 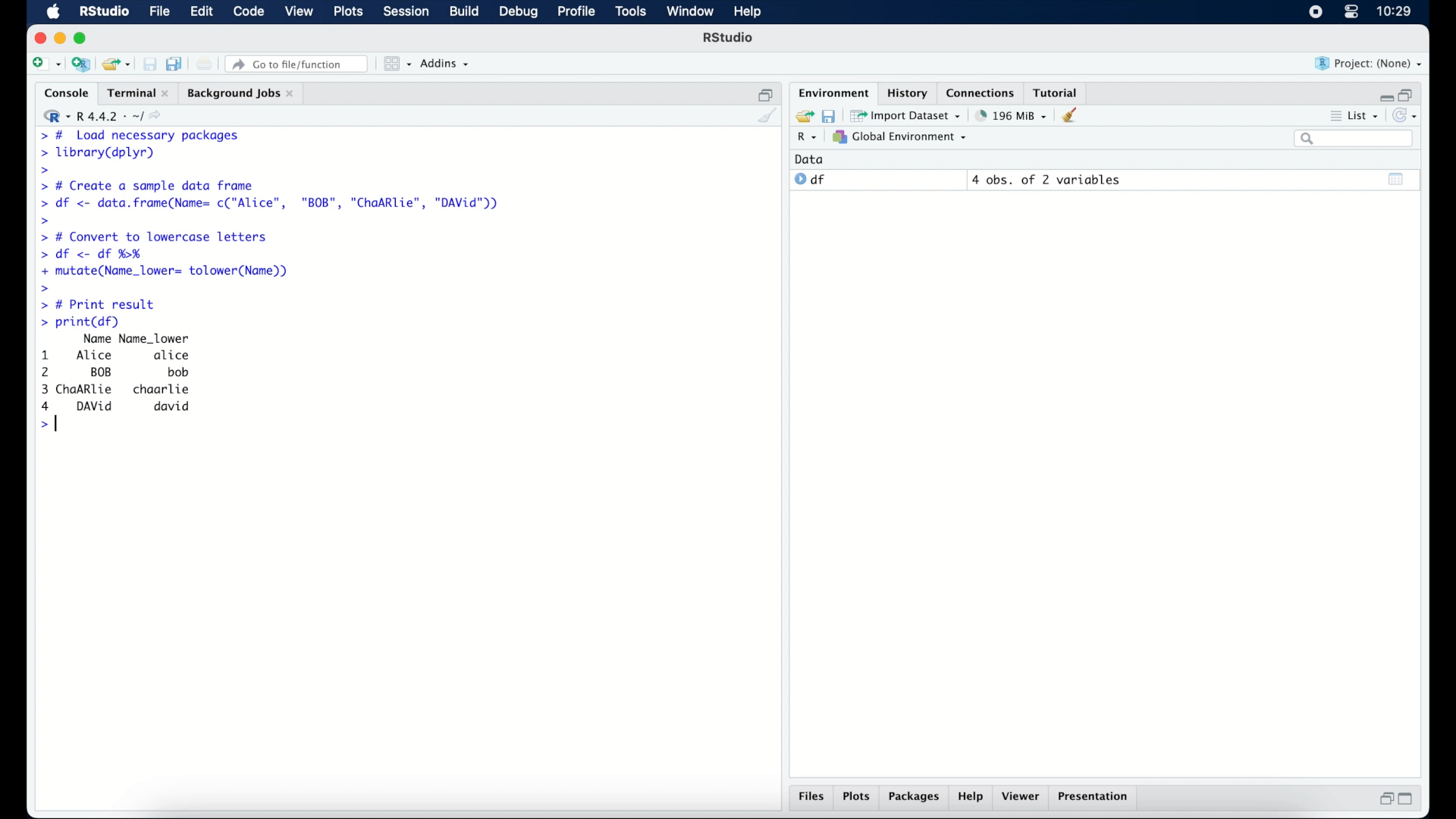 I want to click on connections, so click(x=982, y=92).